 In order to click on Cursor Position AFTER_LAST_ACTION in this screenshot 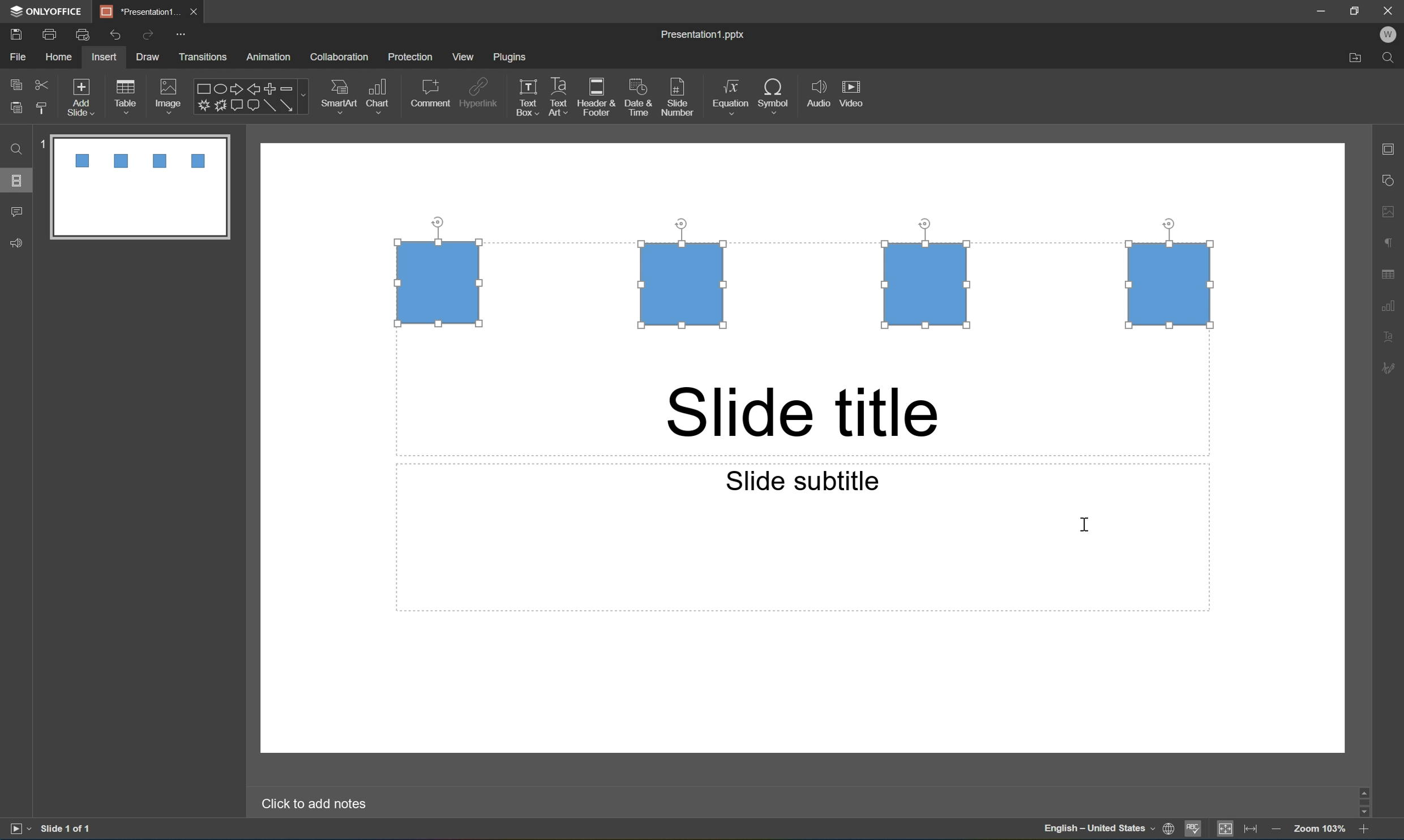, I will do `click(1084, 524)`.